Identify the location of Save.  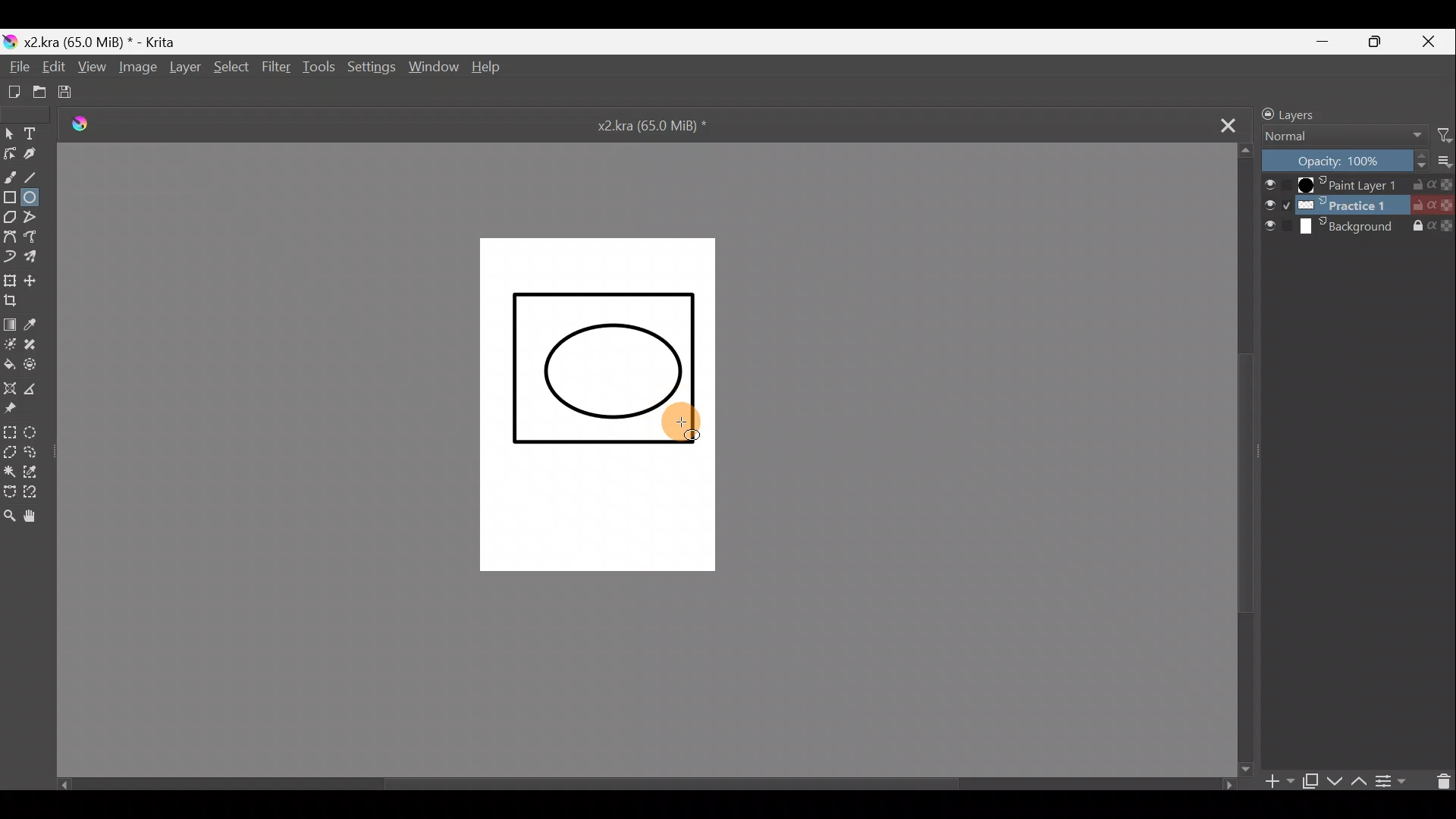
(78, 93).